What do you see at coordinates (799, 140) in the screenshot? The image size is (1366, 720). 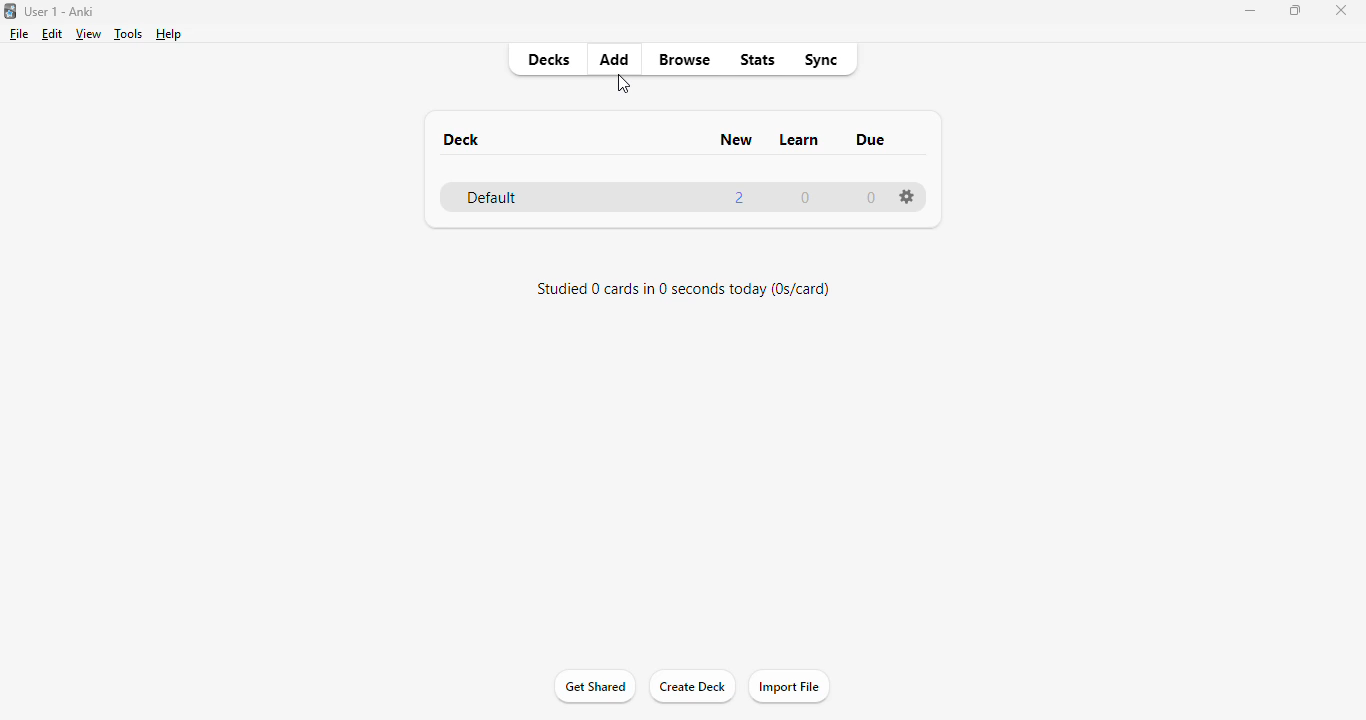 I see `learn` at bounding box center [799, 140].